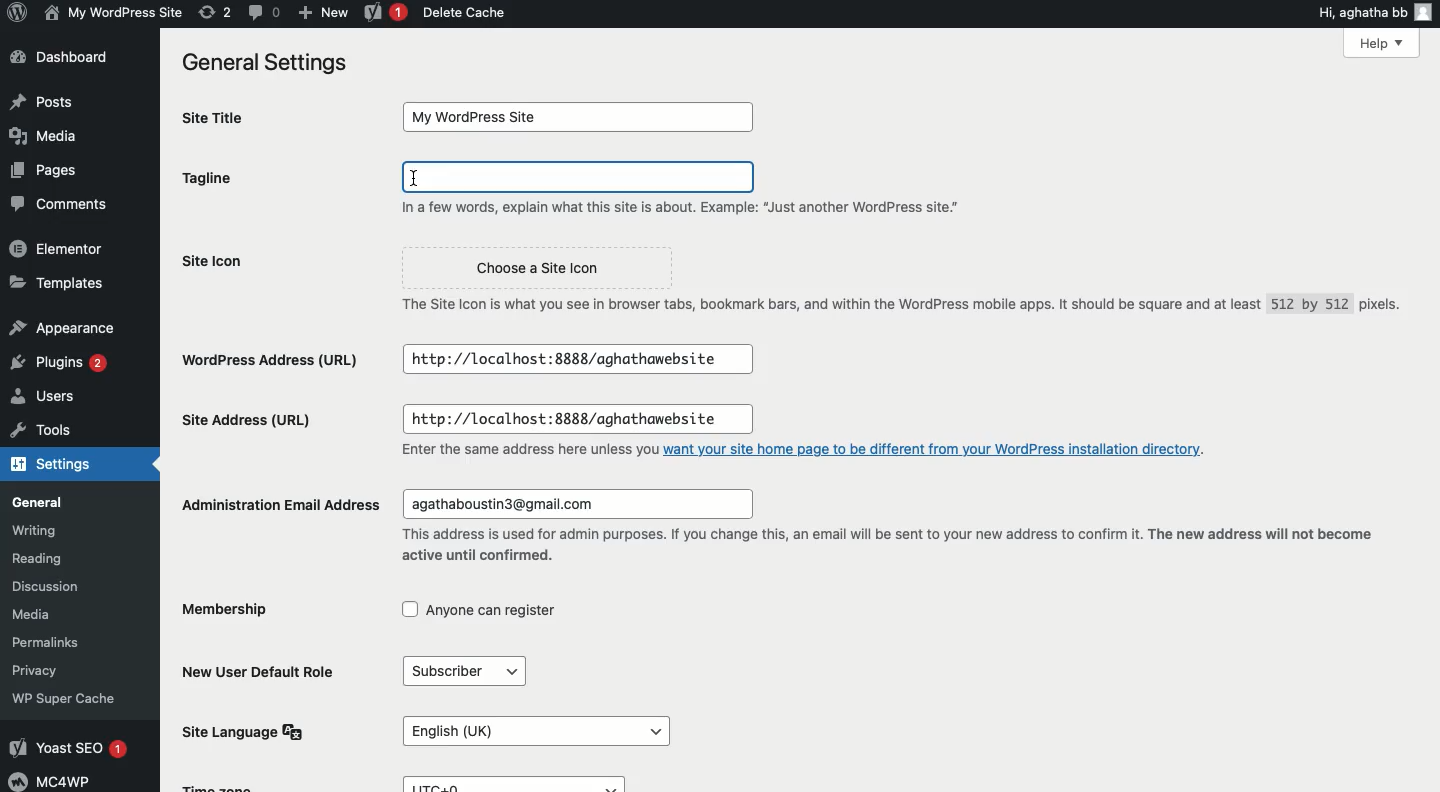 The image size is (1440, 792). Describe the element at coordinates (241, 731) in the screenshot. I see `Site language` at that location.